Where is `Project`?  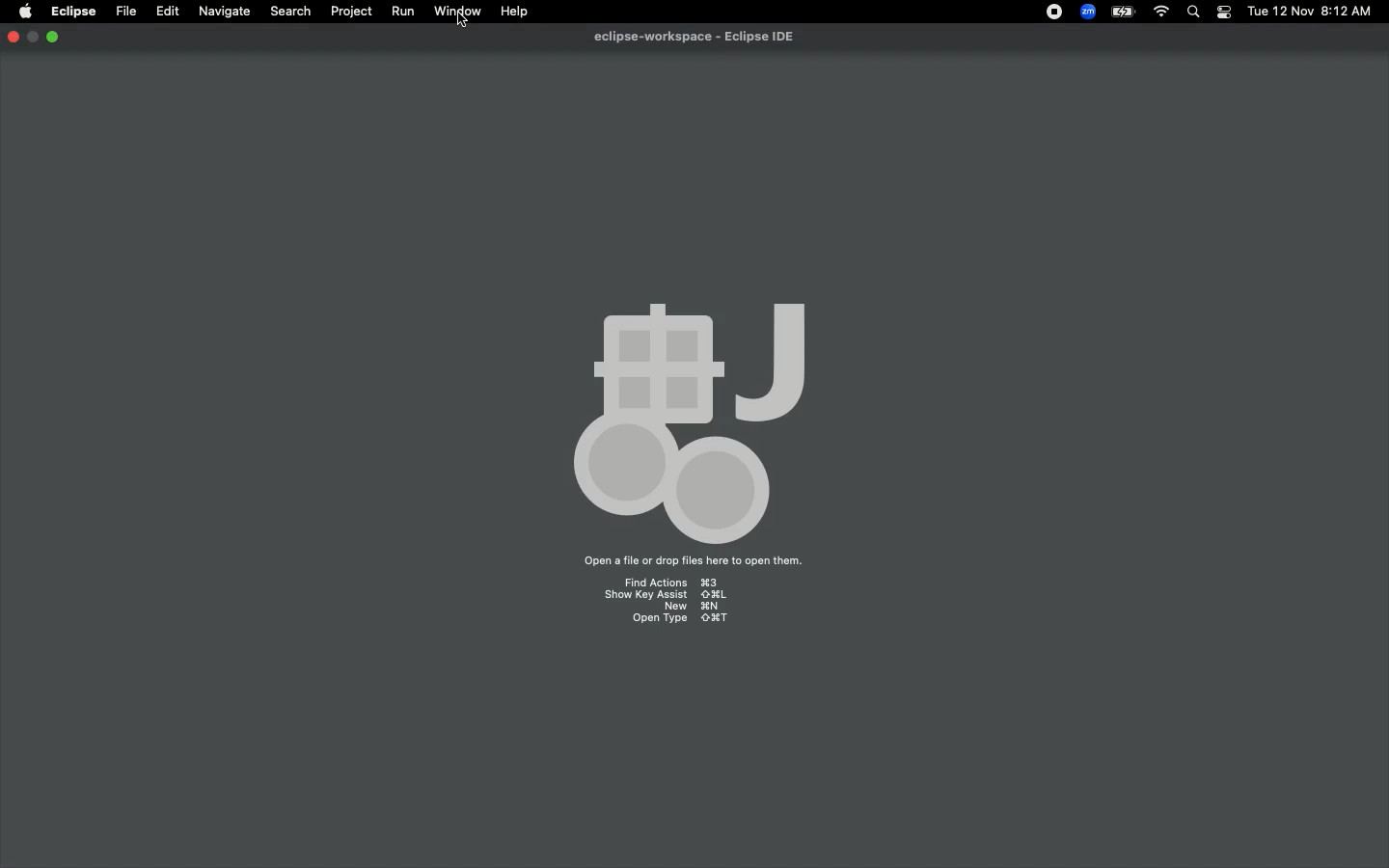 Project is located at coordinates (347, 12).